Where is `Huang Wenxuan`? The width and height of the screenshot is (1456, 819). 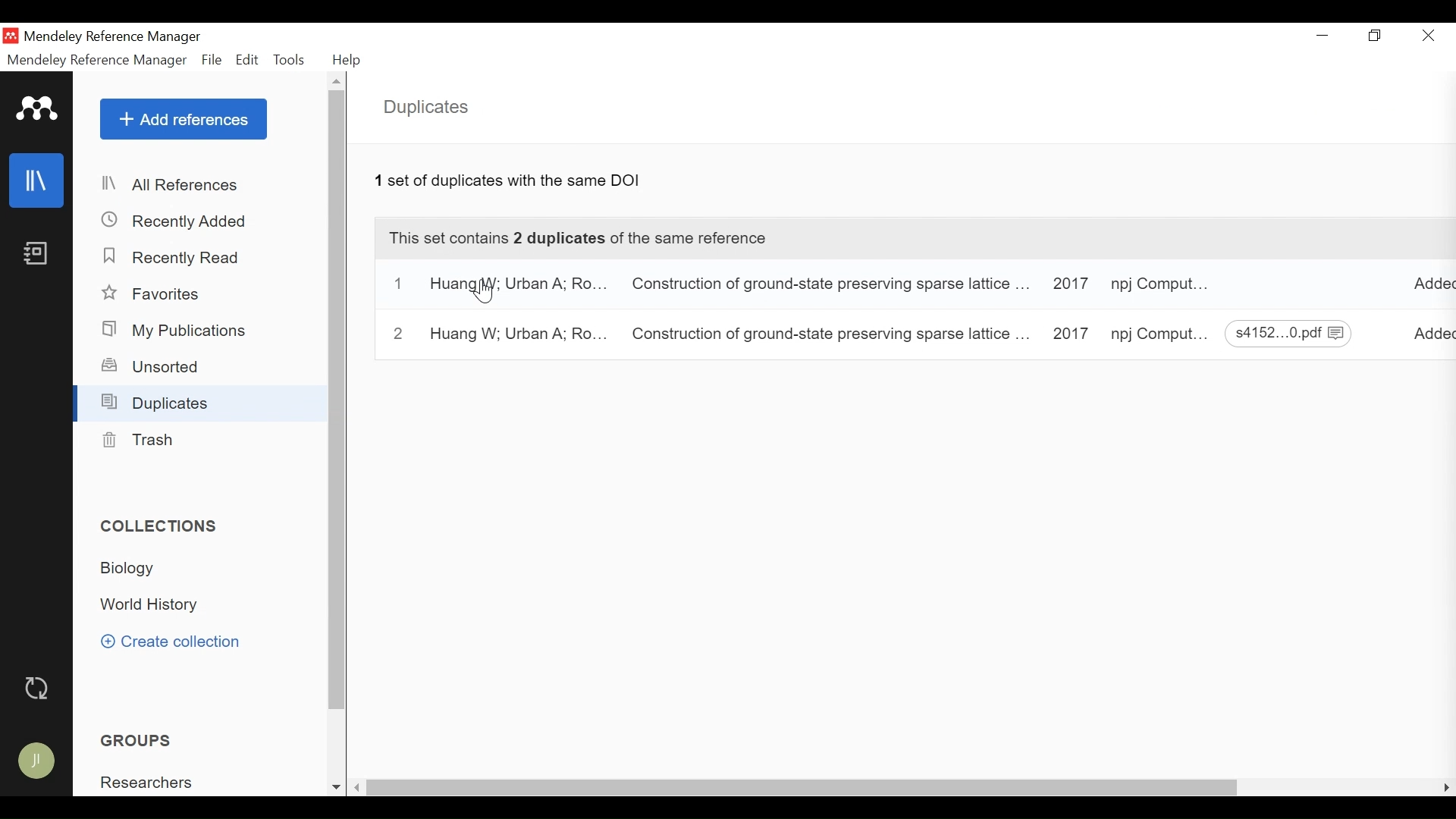 Huang Wenxuan is located at coordinates (516, 285).